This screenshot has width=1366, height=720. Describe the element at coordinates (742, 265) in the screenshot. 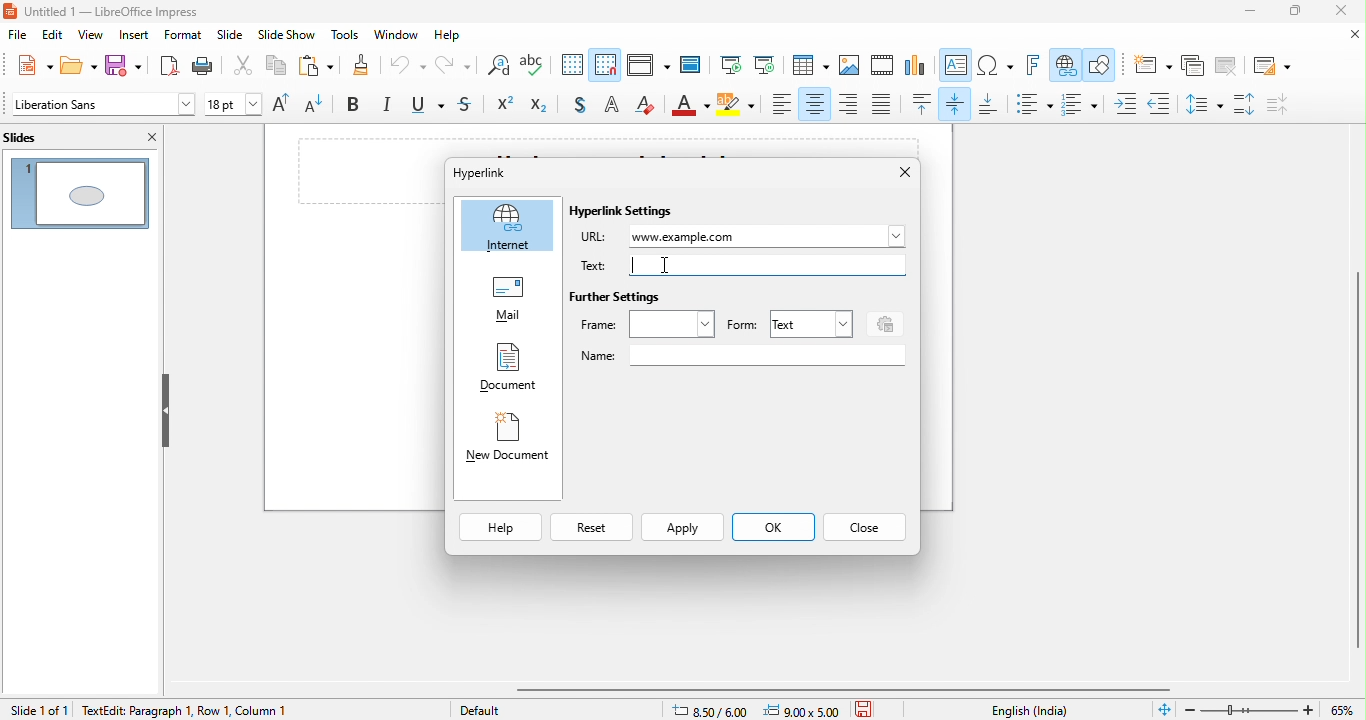

I see `text` at that location.